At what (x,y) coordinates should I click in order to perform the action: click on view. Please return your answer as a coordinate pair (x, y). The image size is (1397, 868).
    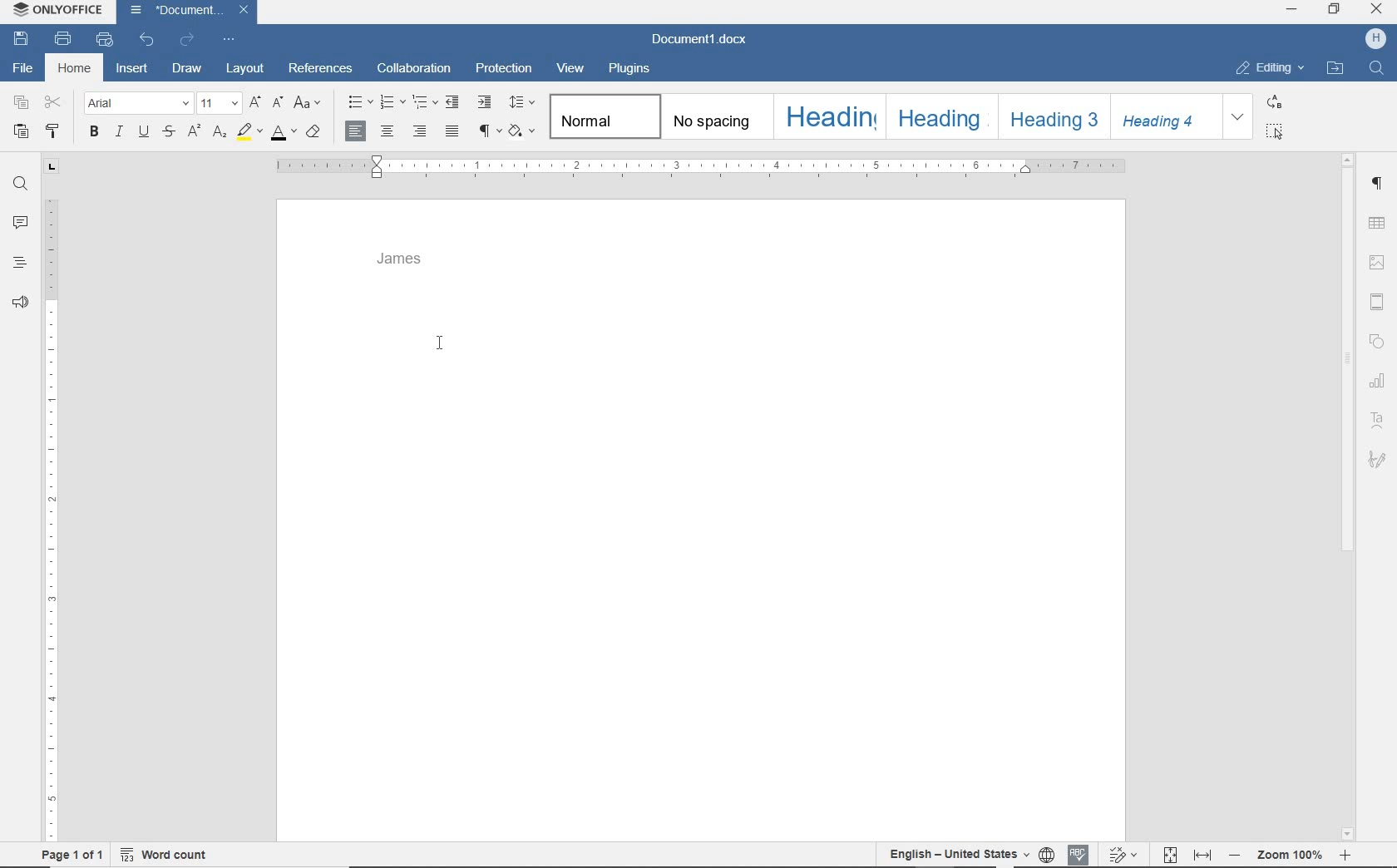
    Looking at the image, I should click on (571, 68).